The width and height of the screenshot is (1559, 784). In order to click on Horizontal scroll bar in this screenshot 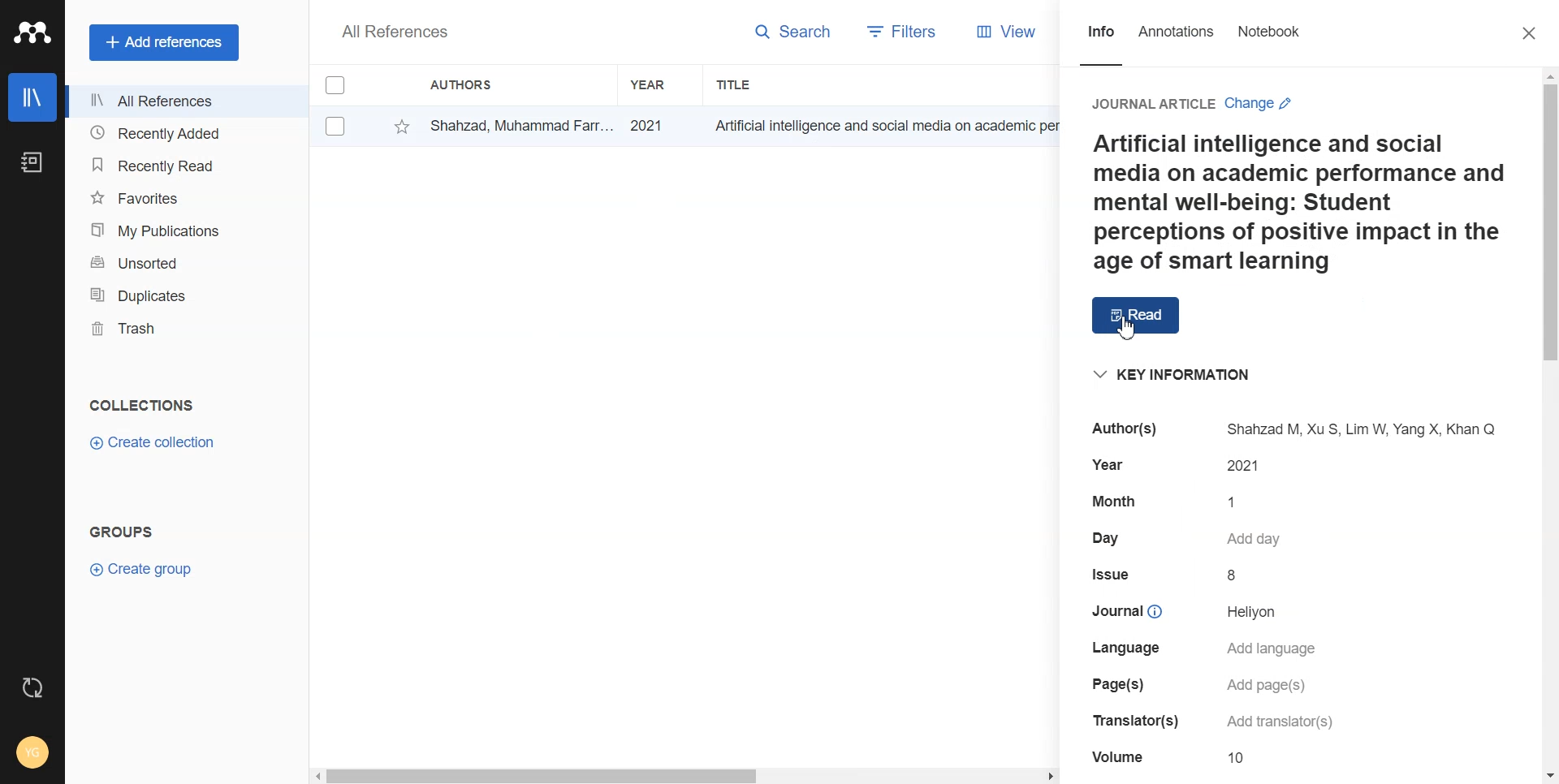, I will do `click(909, 778)`.